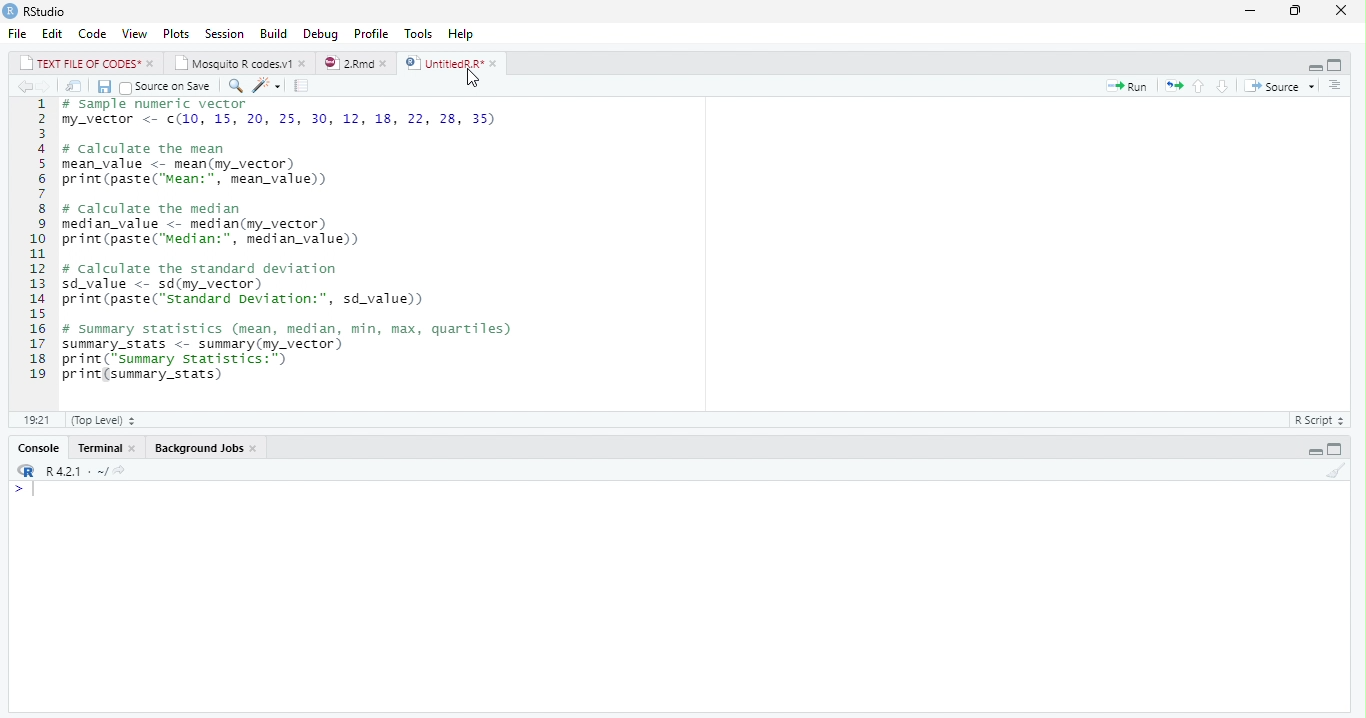  Describe the element at coordinates (24, 472) in the screenshot. I see `icon` at that location.